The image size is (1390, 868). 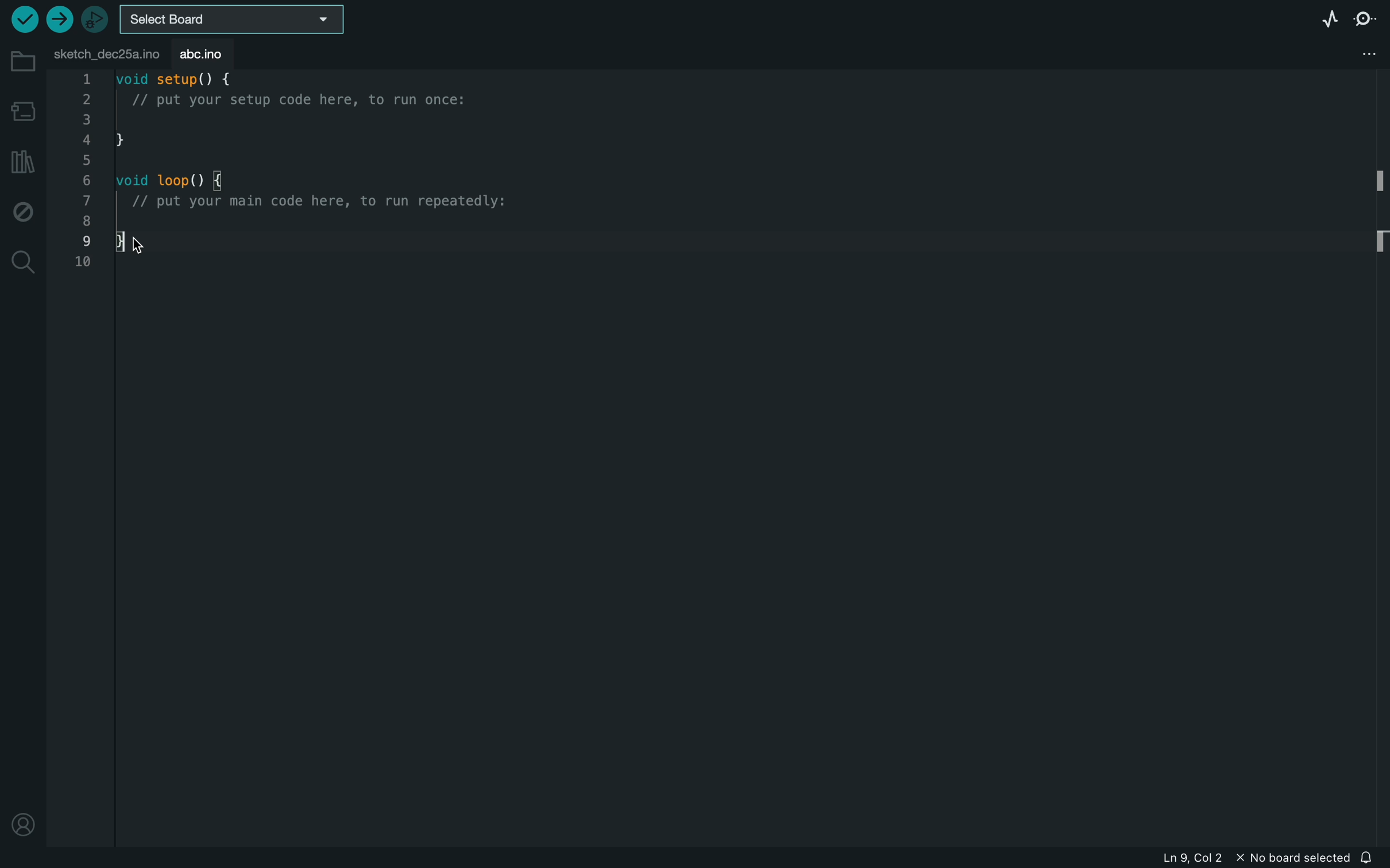 What do you see at coordinates (318, 189) in the screenshot?
I see `code` at bounding box center [318, 189].